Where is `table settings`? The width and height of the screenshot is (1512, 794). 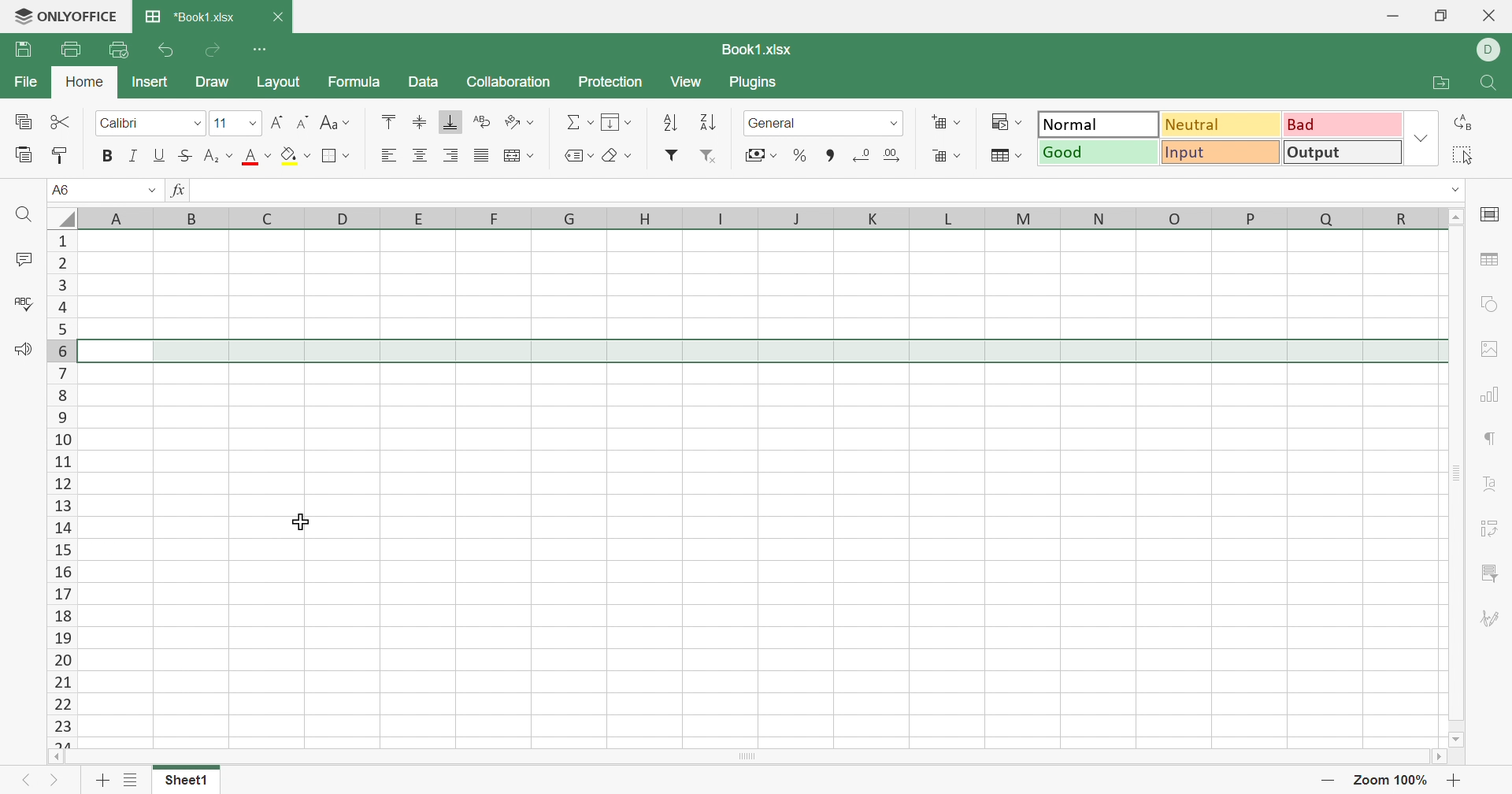
table settings is located at coordinates (1490, 259).